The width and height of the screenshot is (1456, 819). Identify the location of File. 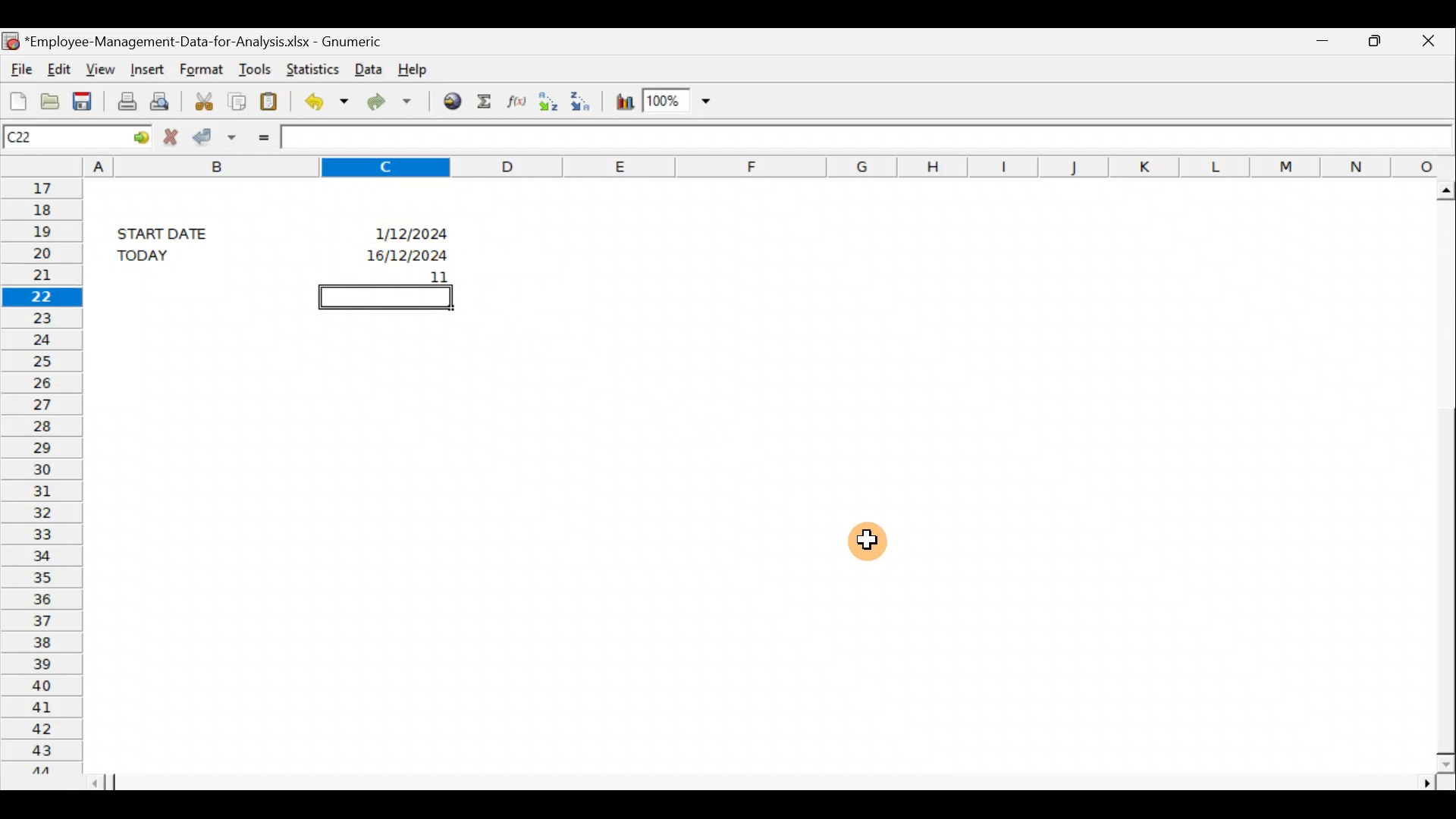
(19, 67).